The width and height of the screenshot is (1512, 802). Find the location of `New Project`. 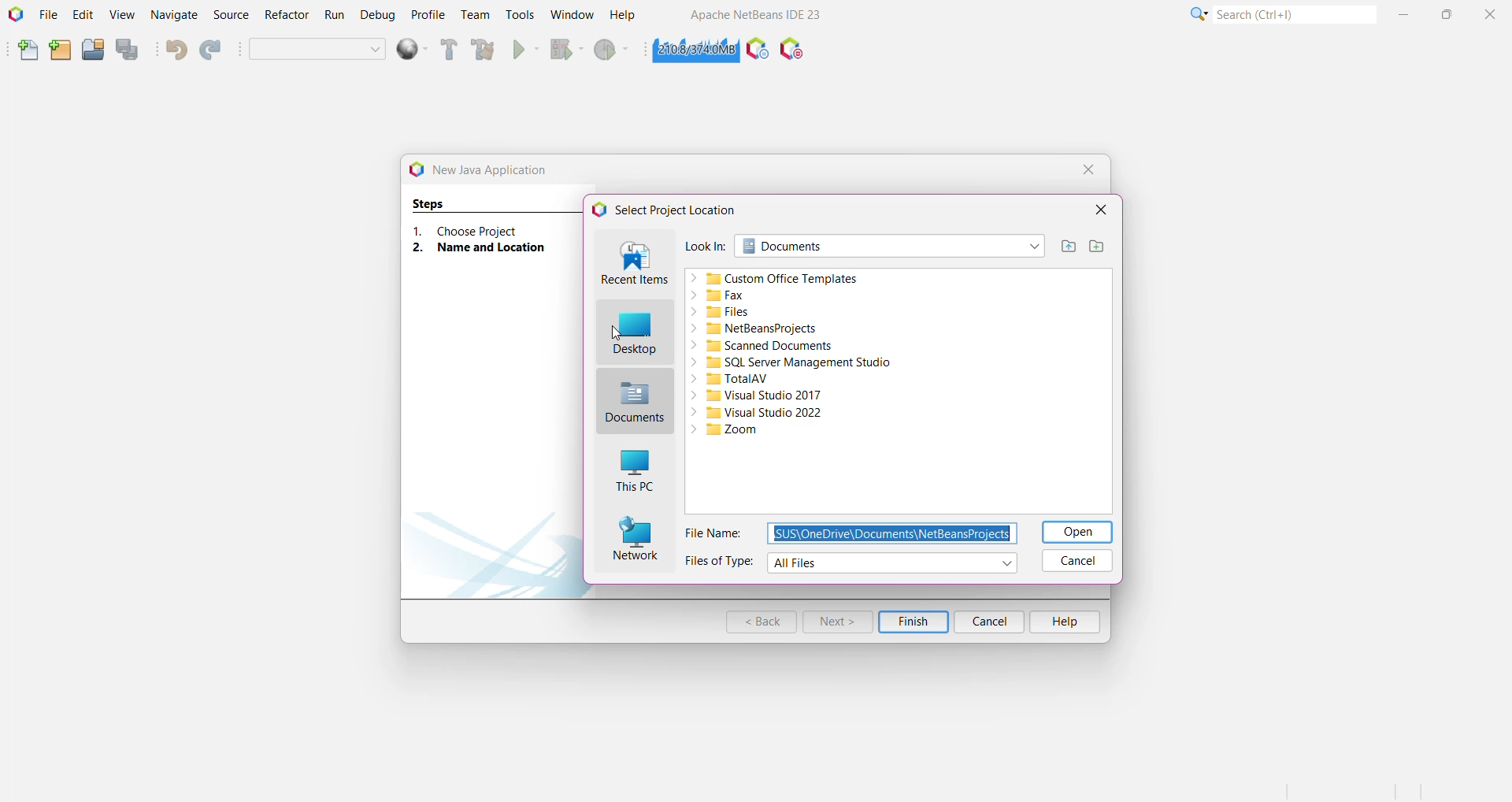

New Project is located at coordinates (59, 51).